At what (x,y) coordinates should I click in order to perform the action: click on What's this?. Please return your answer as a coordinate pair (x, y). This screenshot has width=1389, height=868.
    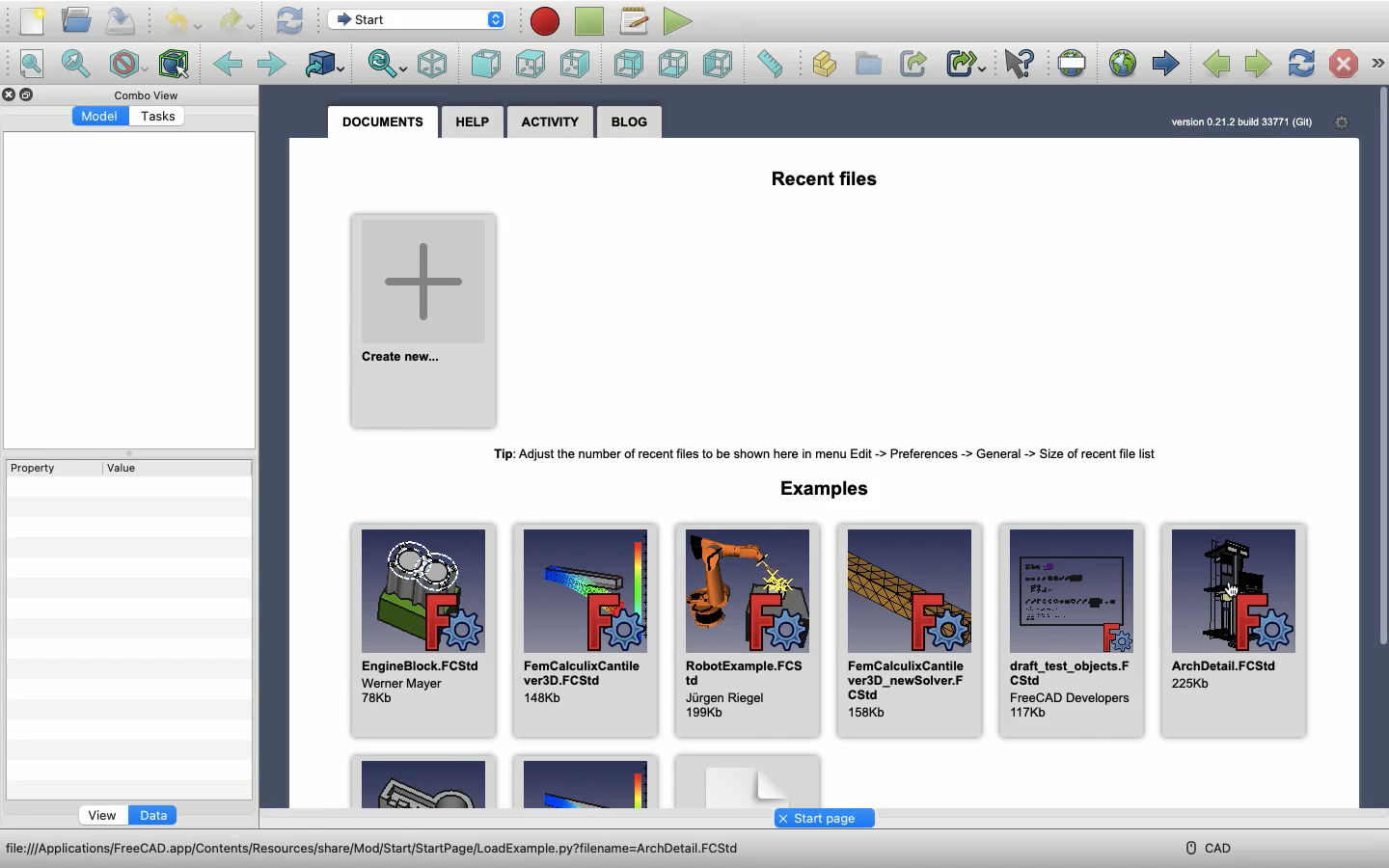
    Looking at the image, I should click on (1018, 64).